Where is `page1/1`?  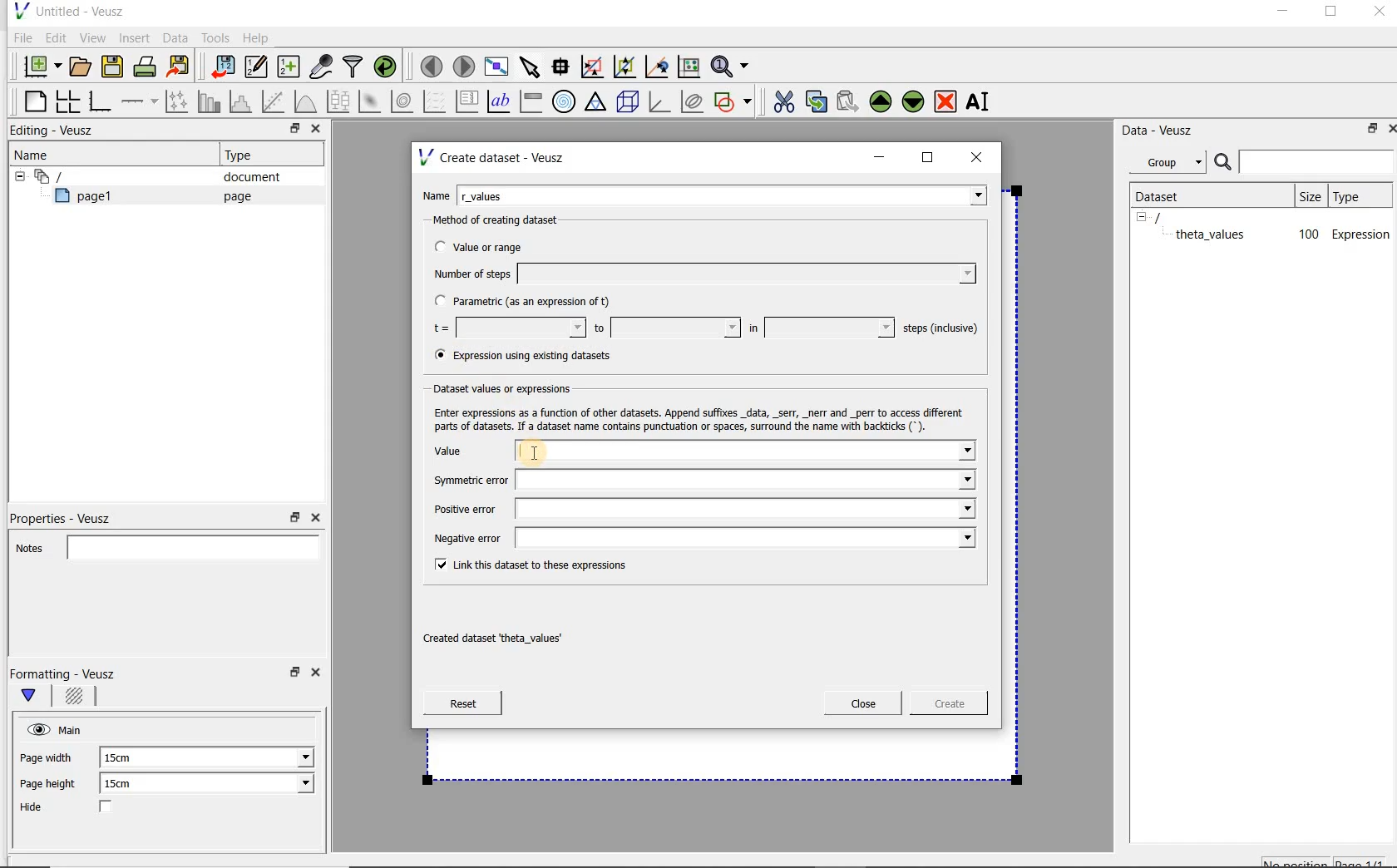
page1/1 is located at coordinates (1366, 861).